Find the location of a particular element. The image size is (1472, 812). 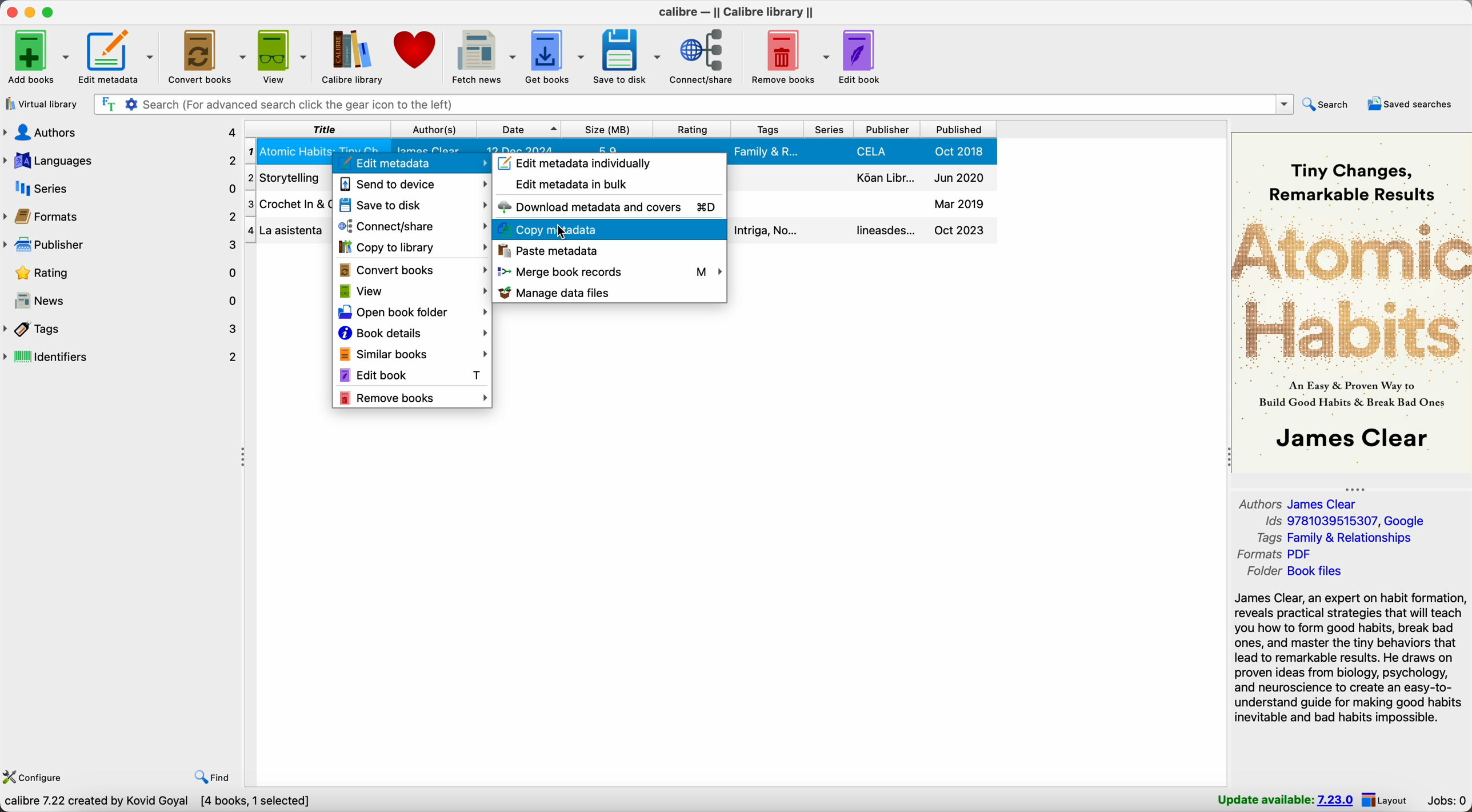

layout is located at coordinates (1392, 801).